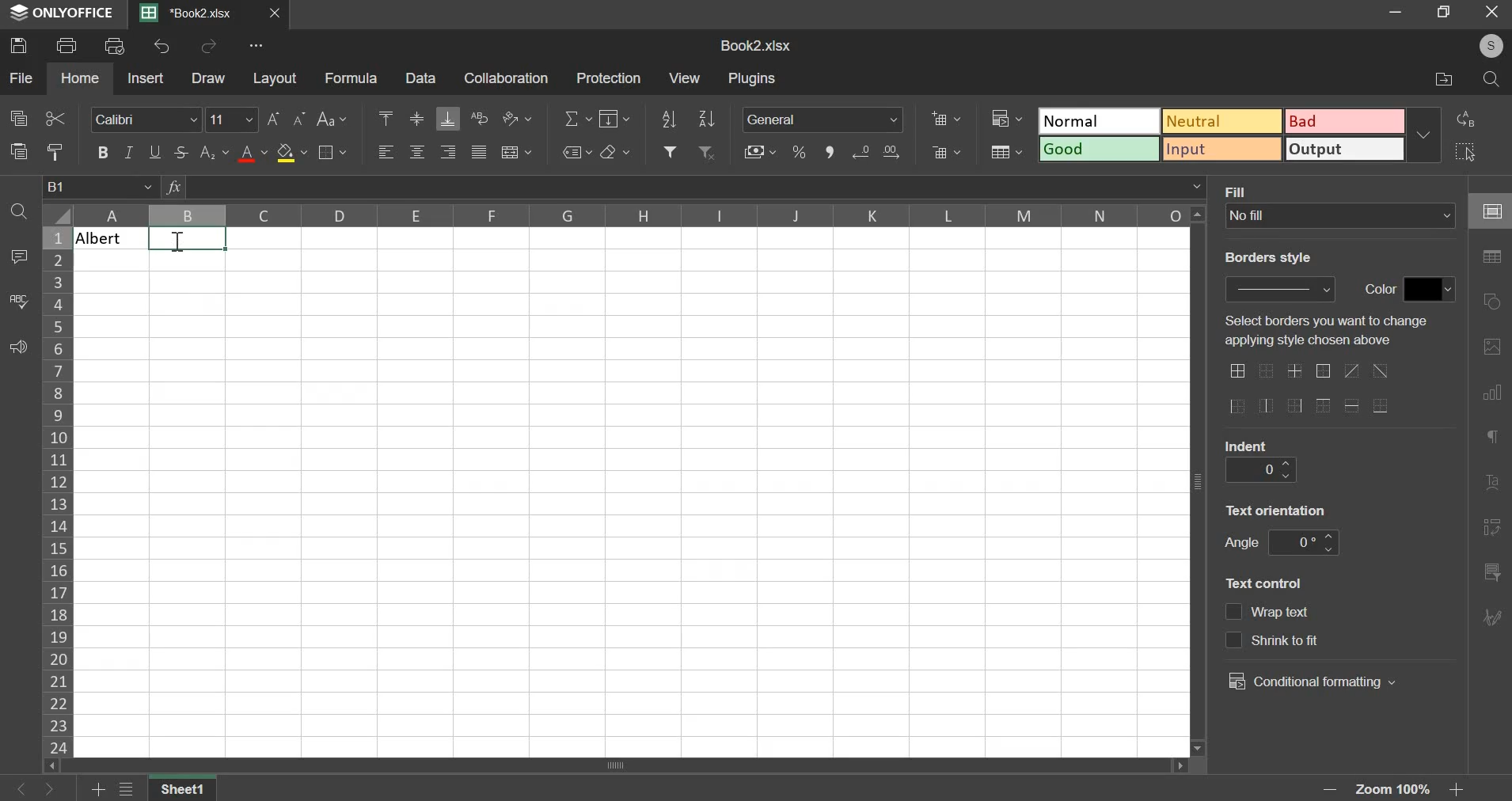 This screenshot has height=801, width=1512. I want to click on , so click(1495, 618).